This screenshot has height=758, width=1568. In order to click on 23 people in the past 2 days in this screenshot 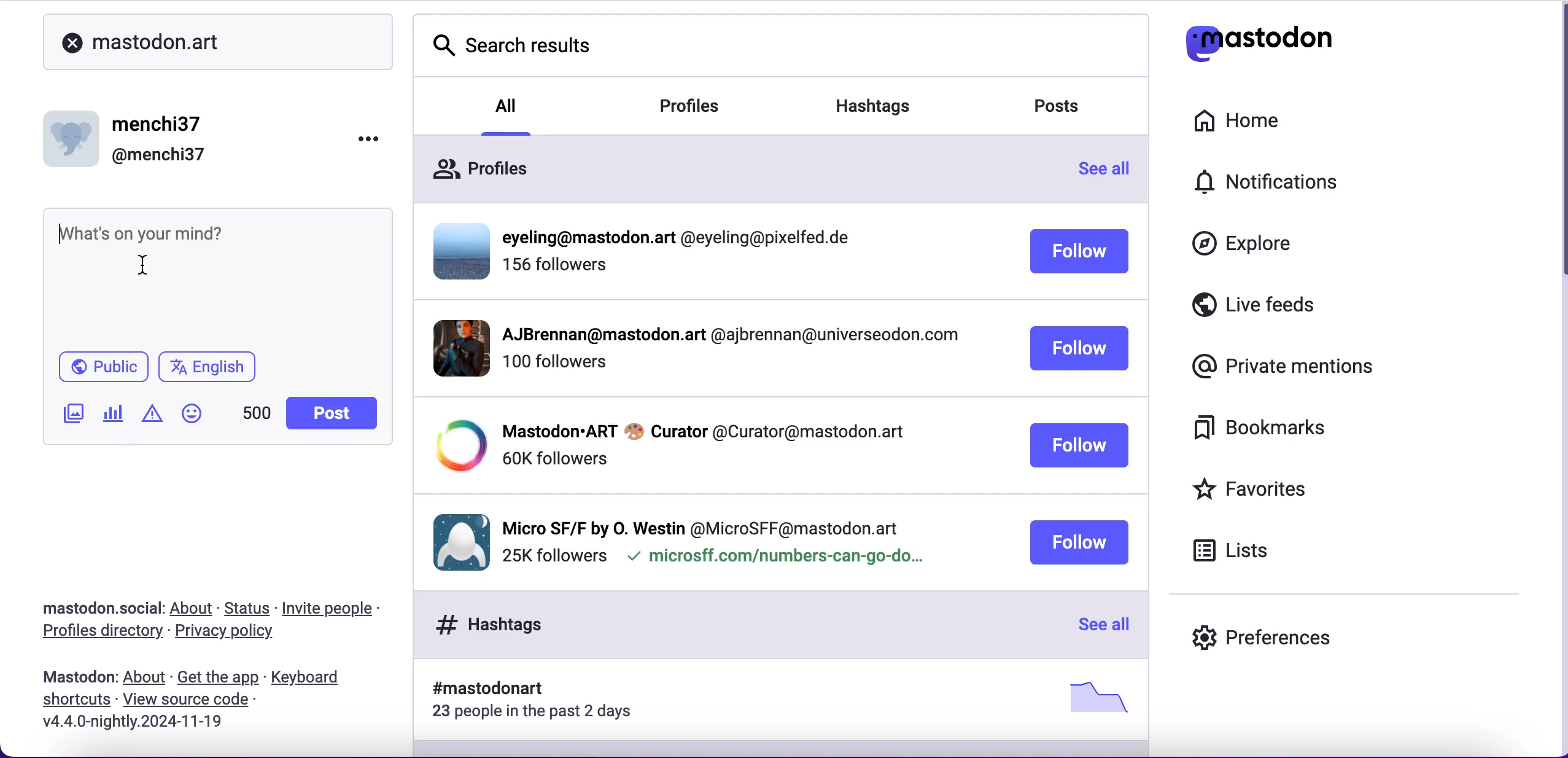, I will do `click(540, 714)`.